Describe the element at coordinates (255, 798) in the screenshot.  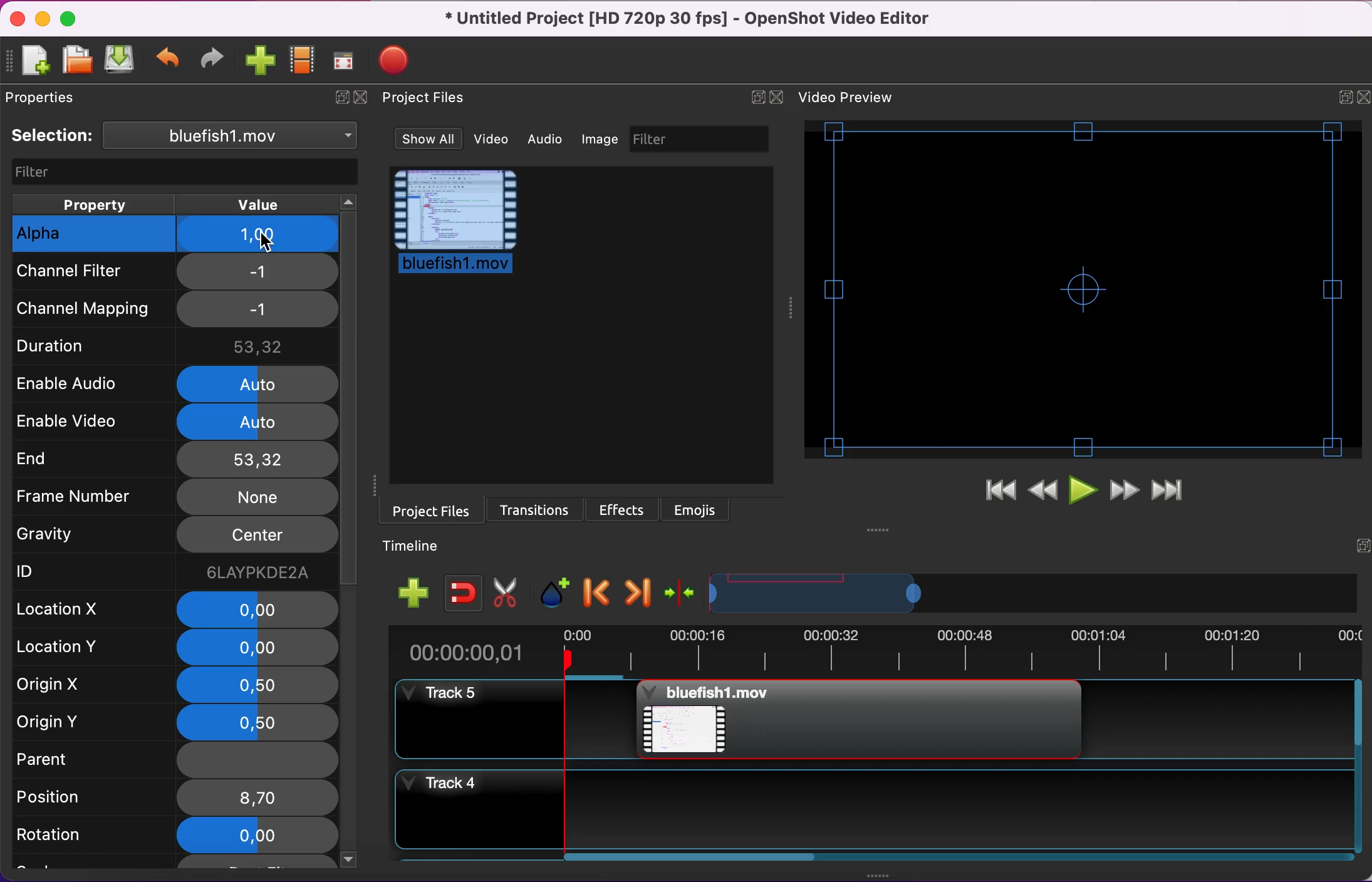
I see `8,7` at that location.